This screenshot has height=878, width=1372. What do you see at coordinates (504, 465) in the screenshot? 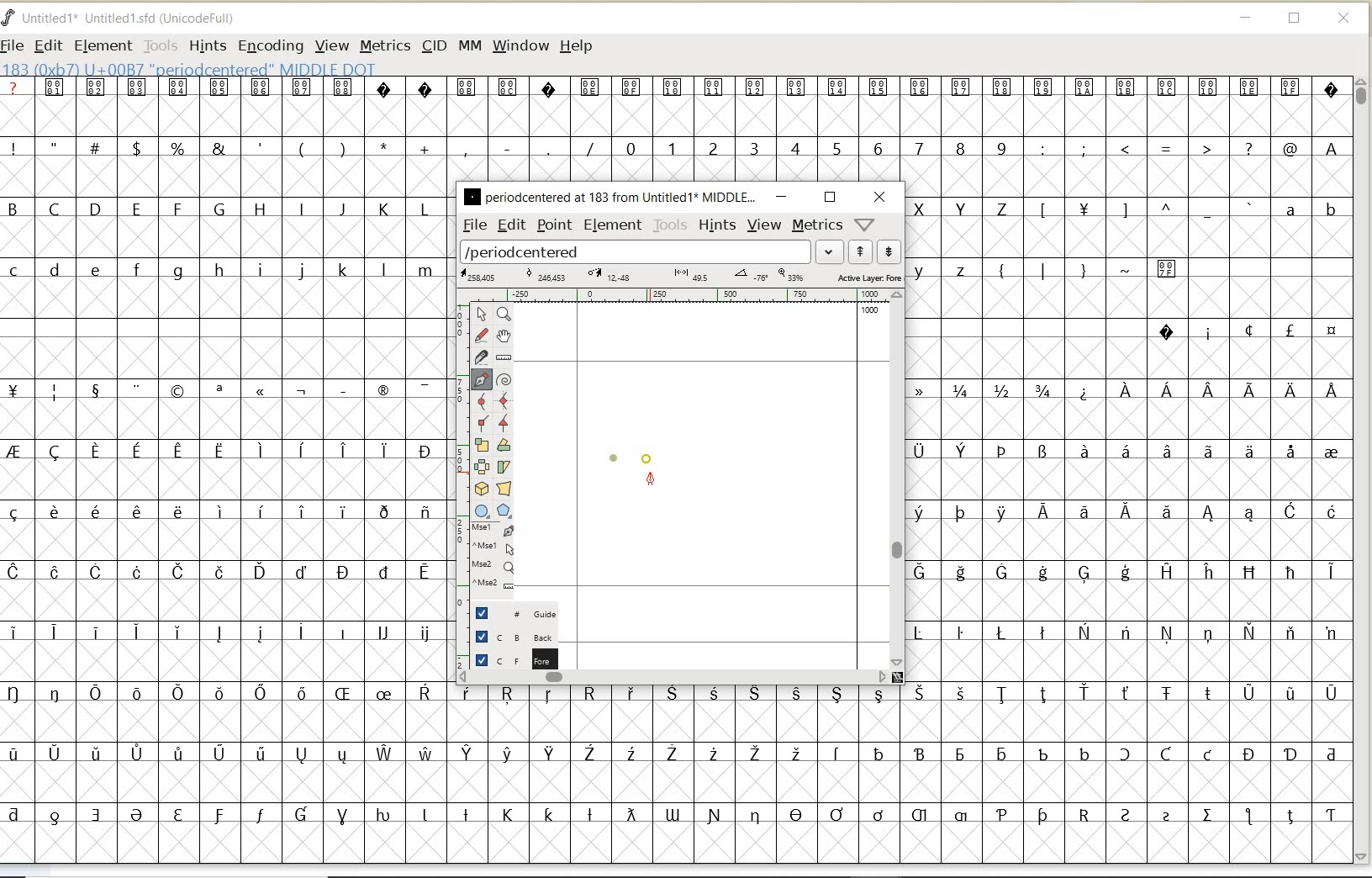
I see `skew the selection` at bounding box center [504, 465].